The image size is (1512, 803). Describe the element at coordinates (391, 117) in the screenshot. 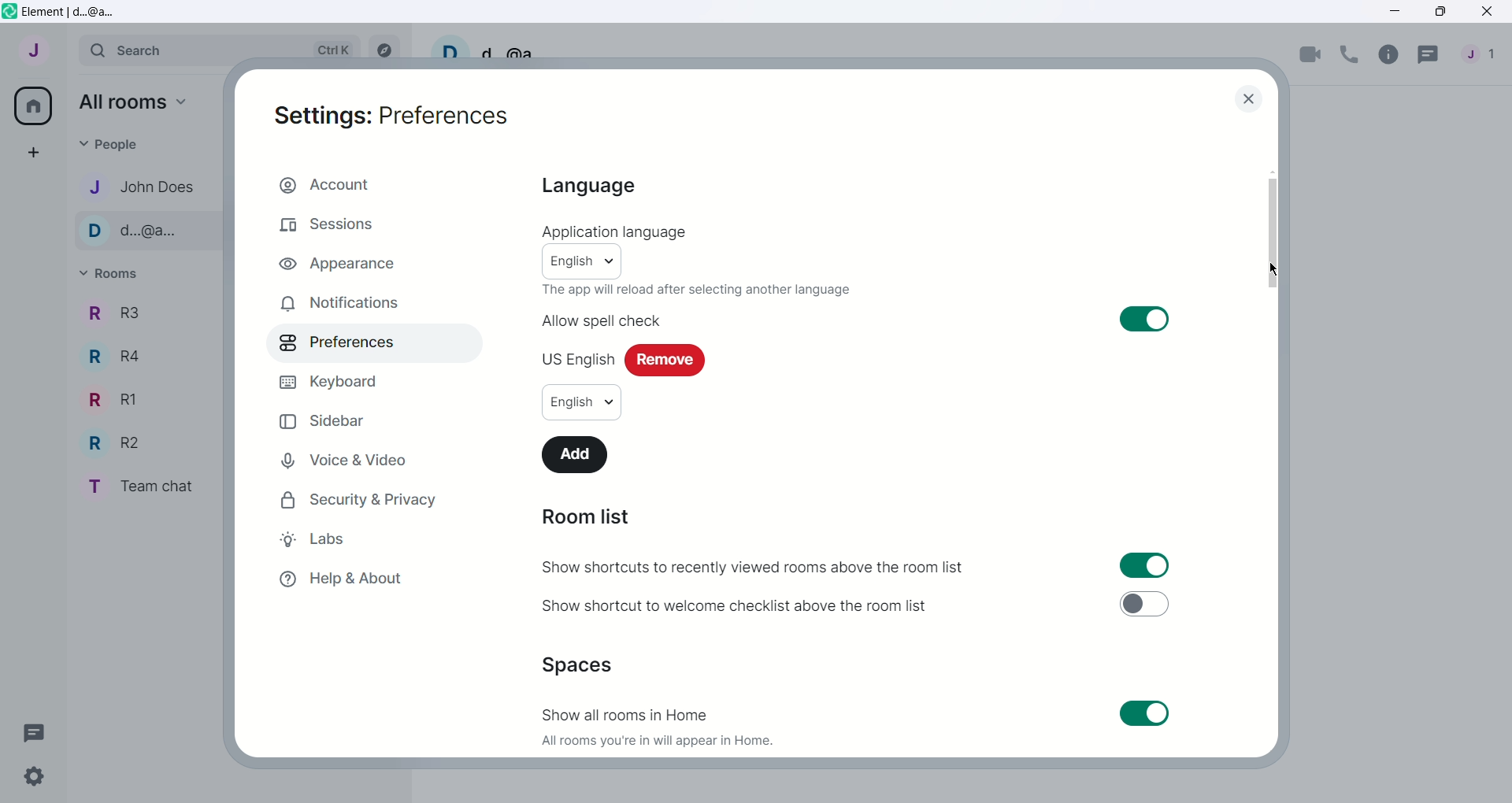

I see `Settings: Preferences` at that location.